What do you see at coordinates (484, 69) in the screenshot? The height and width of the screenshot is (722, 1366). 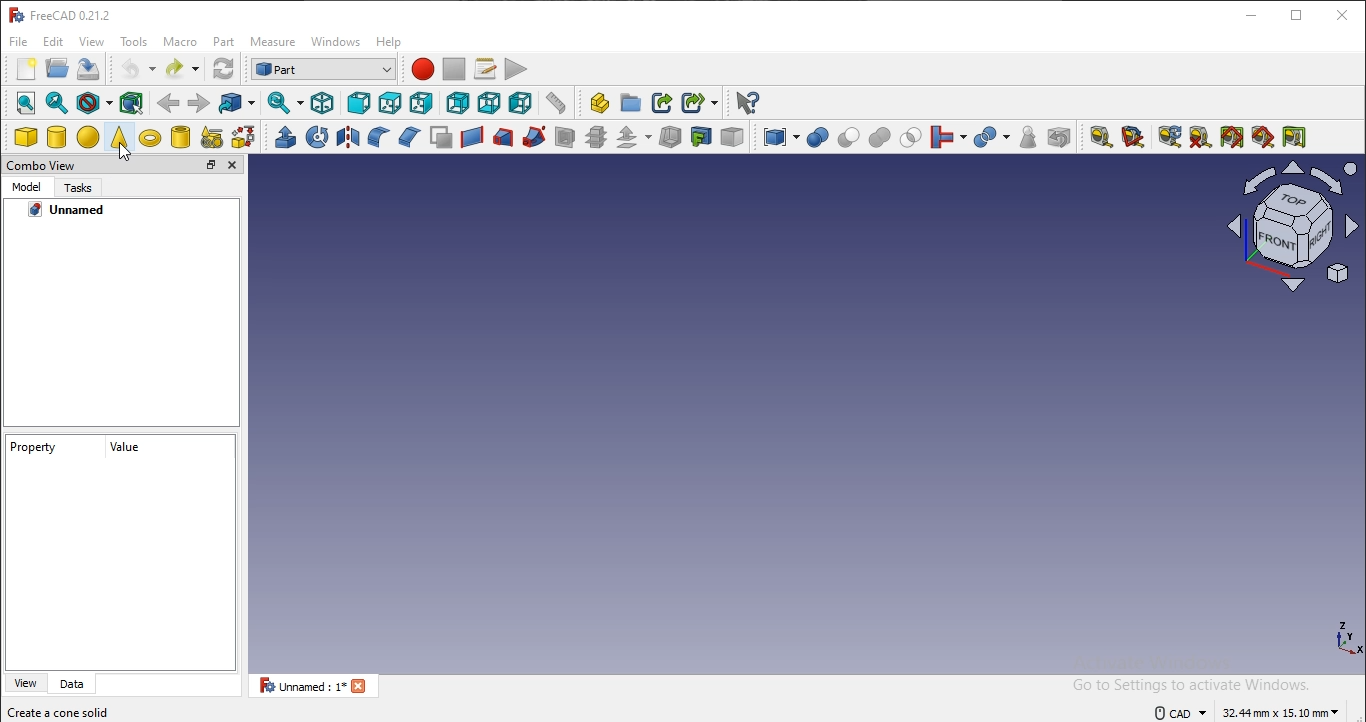 I see `macro` at bounding box center [484, 69].